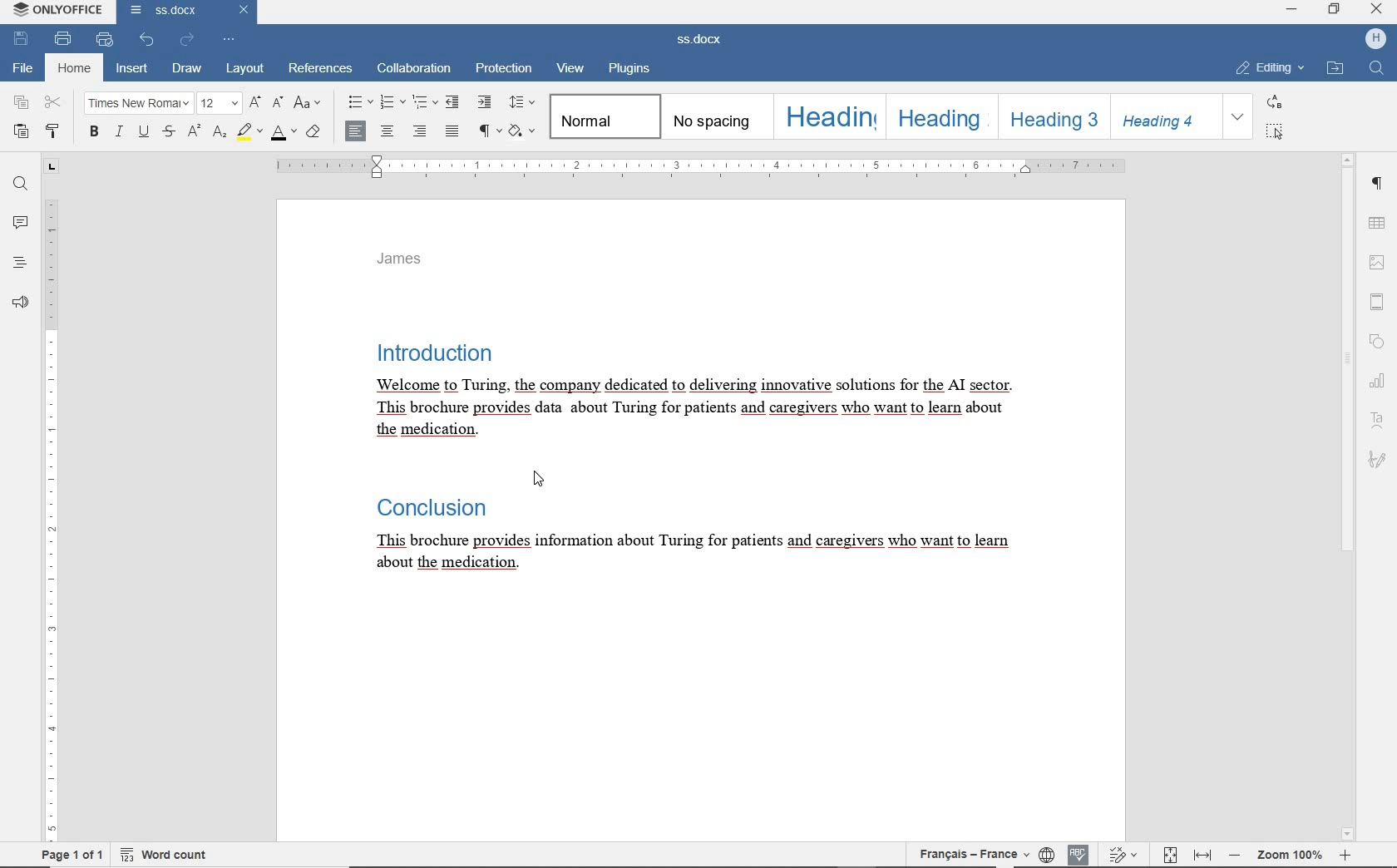 Image resolution: width=1397 pixels, height=868 pixels. Describe the element at coordinates (1376, 70) in the screenshot. I see `FIND` at that location.